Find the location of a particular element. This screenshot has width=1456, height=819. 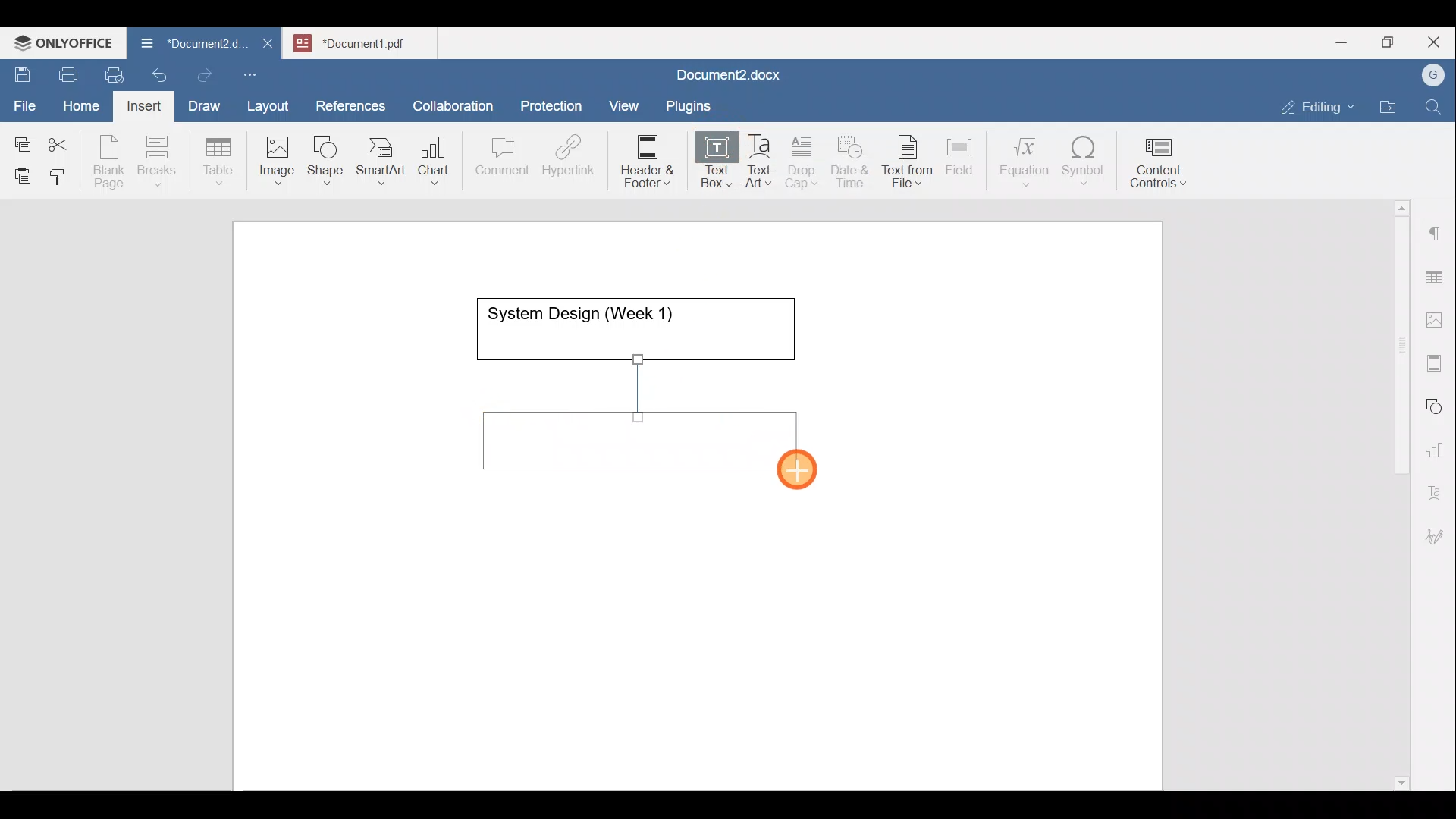

Chart is located at coordinates (431, 162).